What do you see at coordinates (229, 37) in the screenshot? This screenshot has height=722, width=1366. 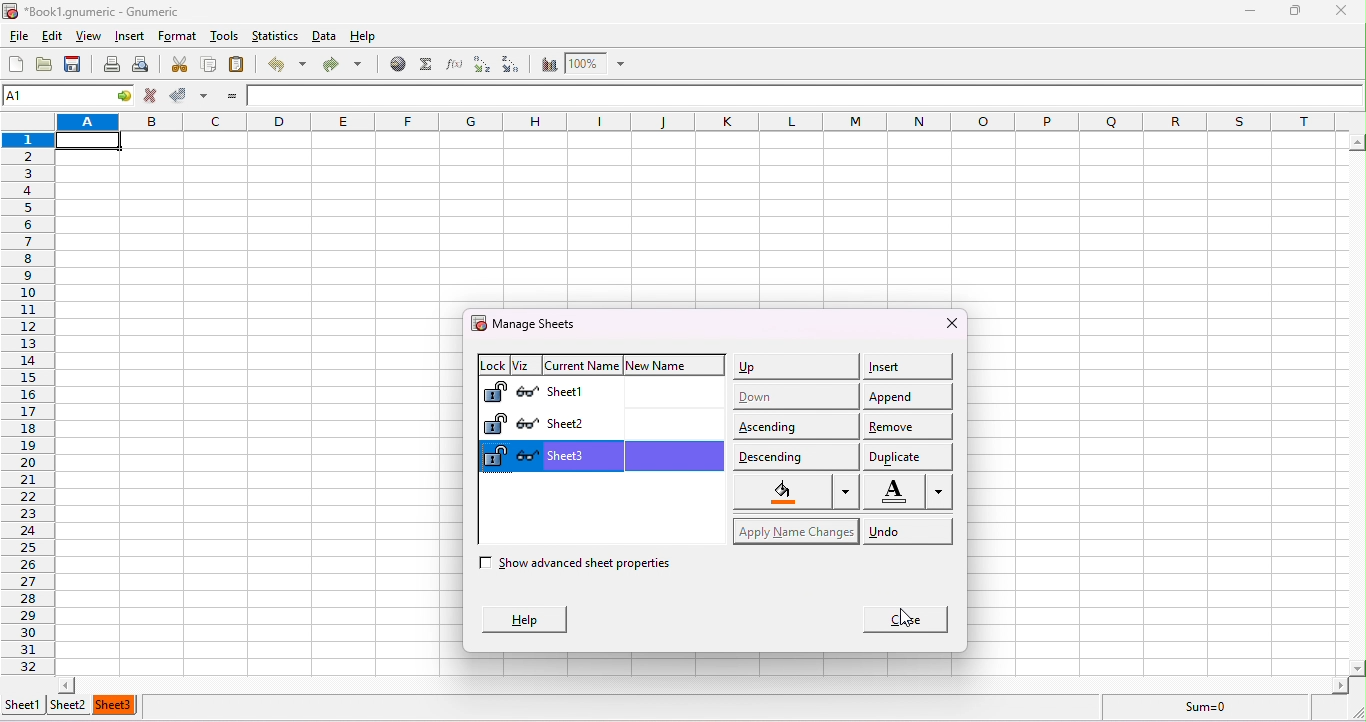 I see `tools` at bounding box center [229, 37].